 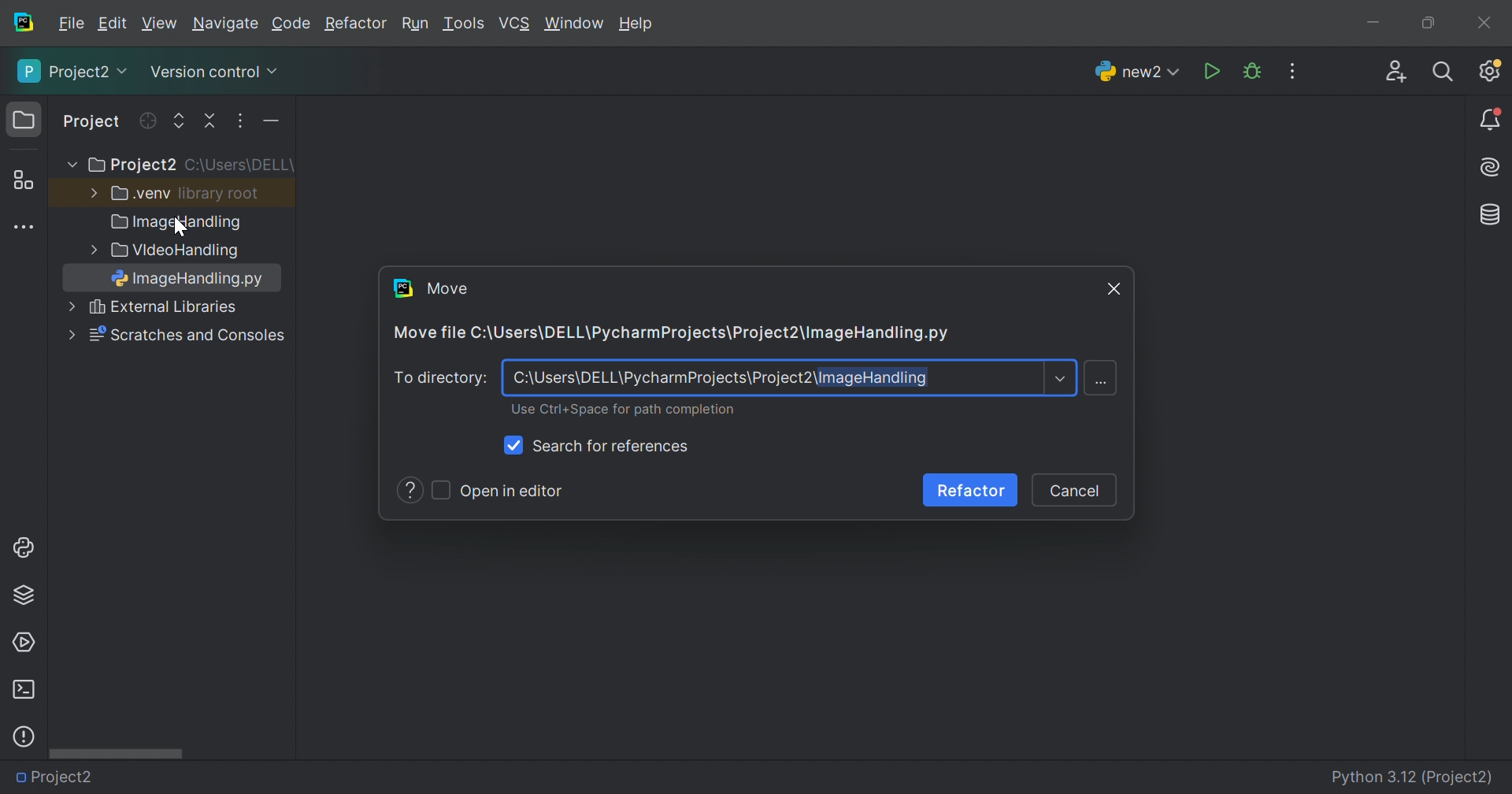 I want to click on Tools, so click(x=462, y=24).